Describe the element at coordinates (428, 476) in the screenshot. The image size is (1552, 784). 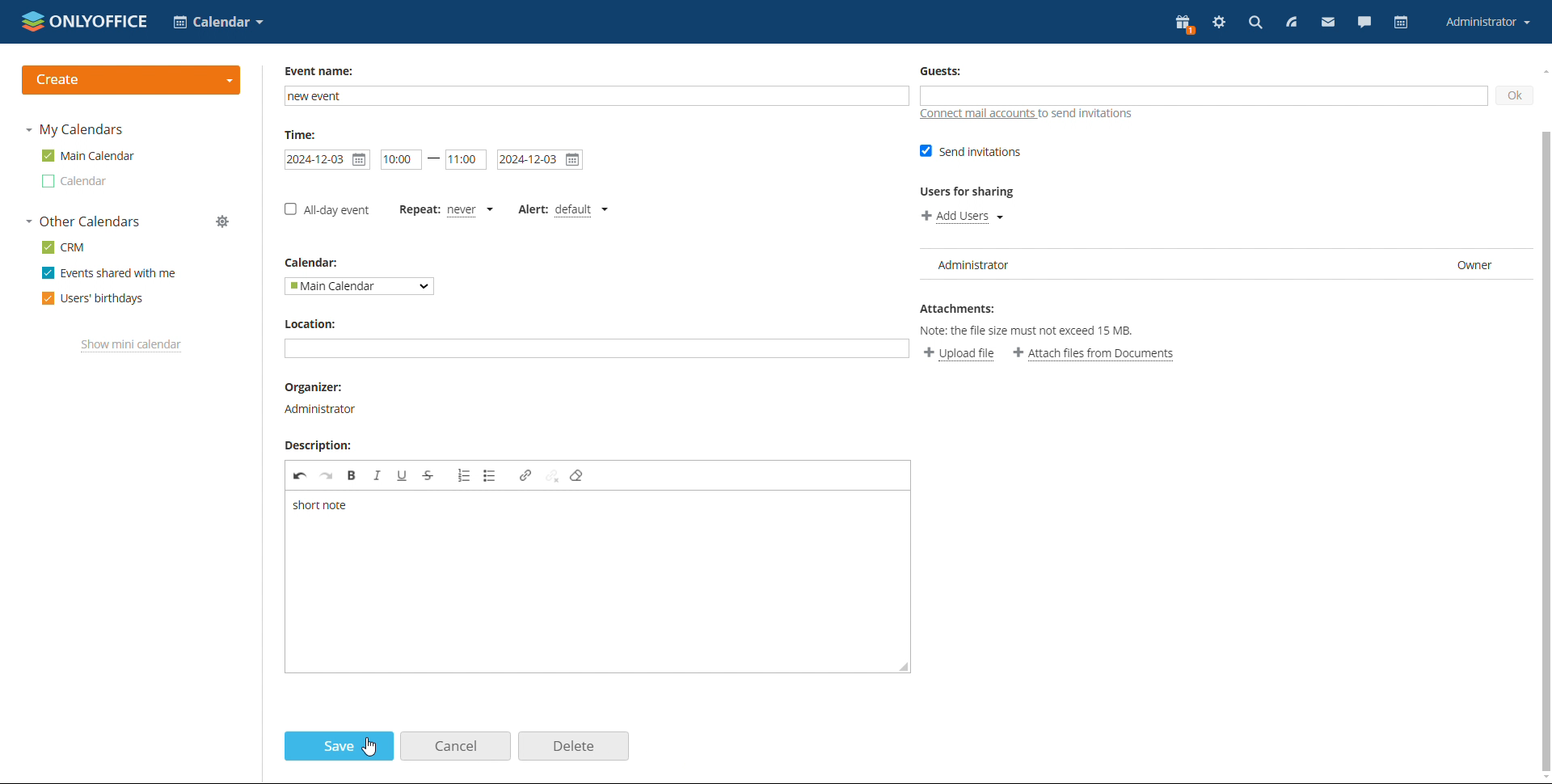
I see `strikethrough` at that location.